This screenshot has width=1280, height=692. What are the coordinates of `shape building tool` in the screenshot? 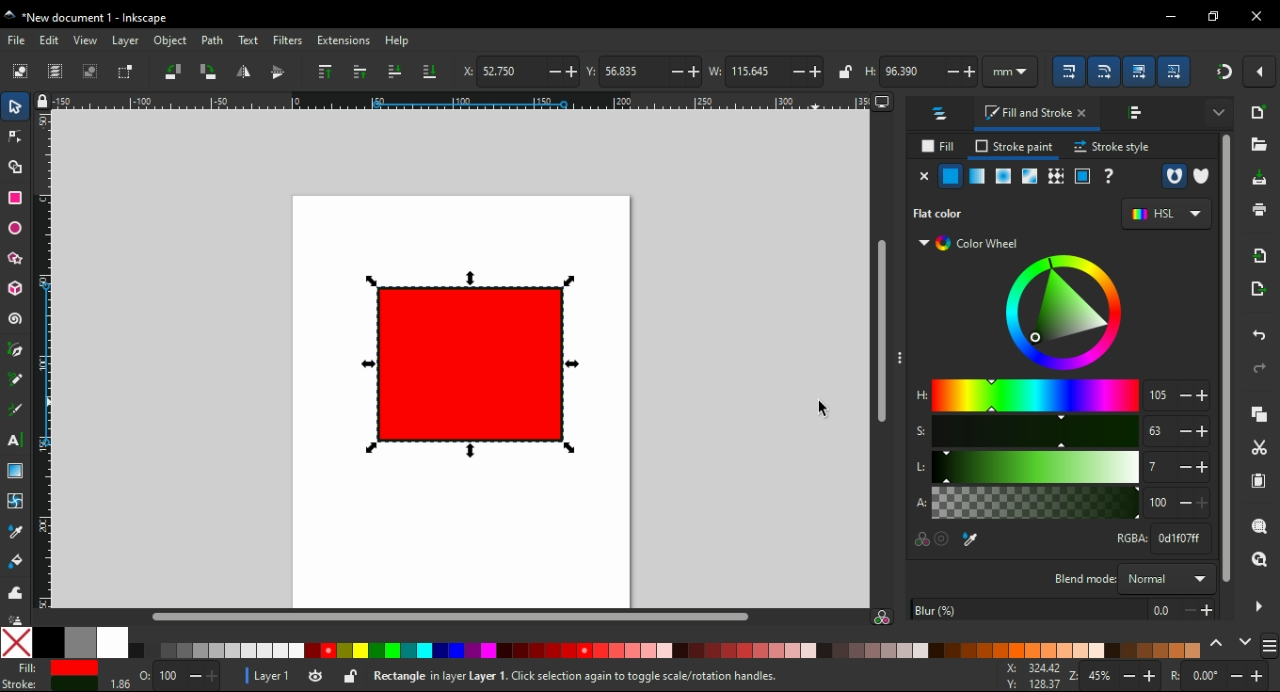 It's located at (15, 166).